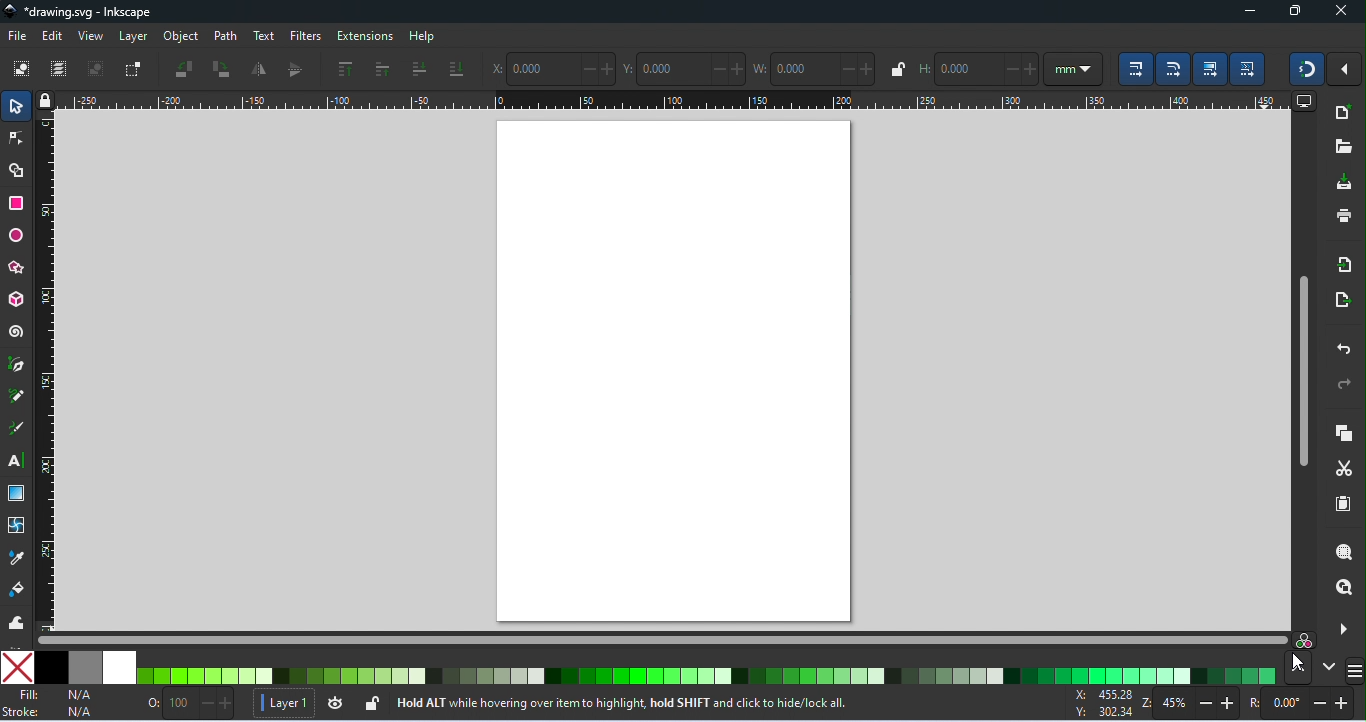 The height and width of the screenshot is (722, 1366). What do you see at coordinates (1212, 69) in the screenshot?
I see `move gradients` at bounding box center [1212, 69].